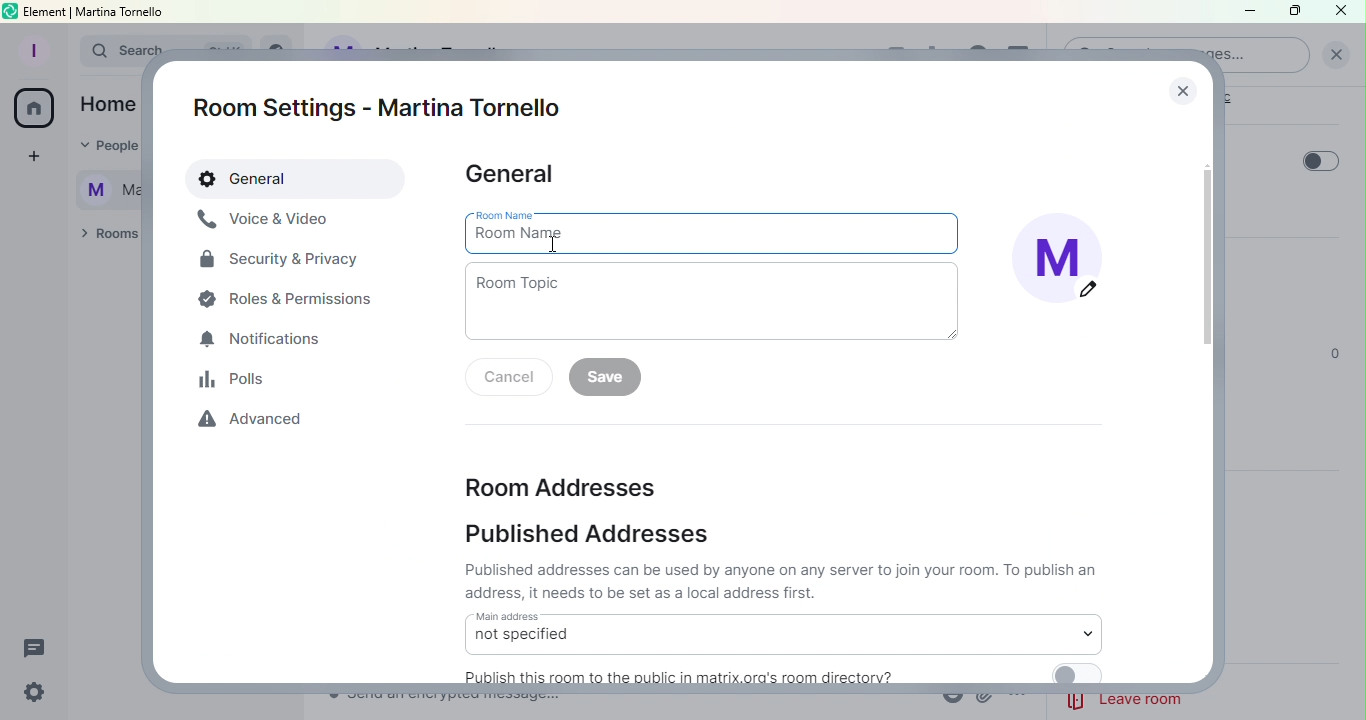  Describe the element at coordinates (591, 535) in the screenshot. I see `Published addresses` at that location.